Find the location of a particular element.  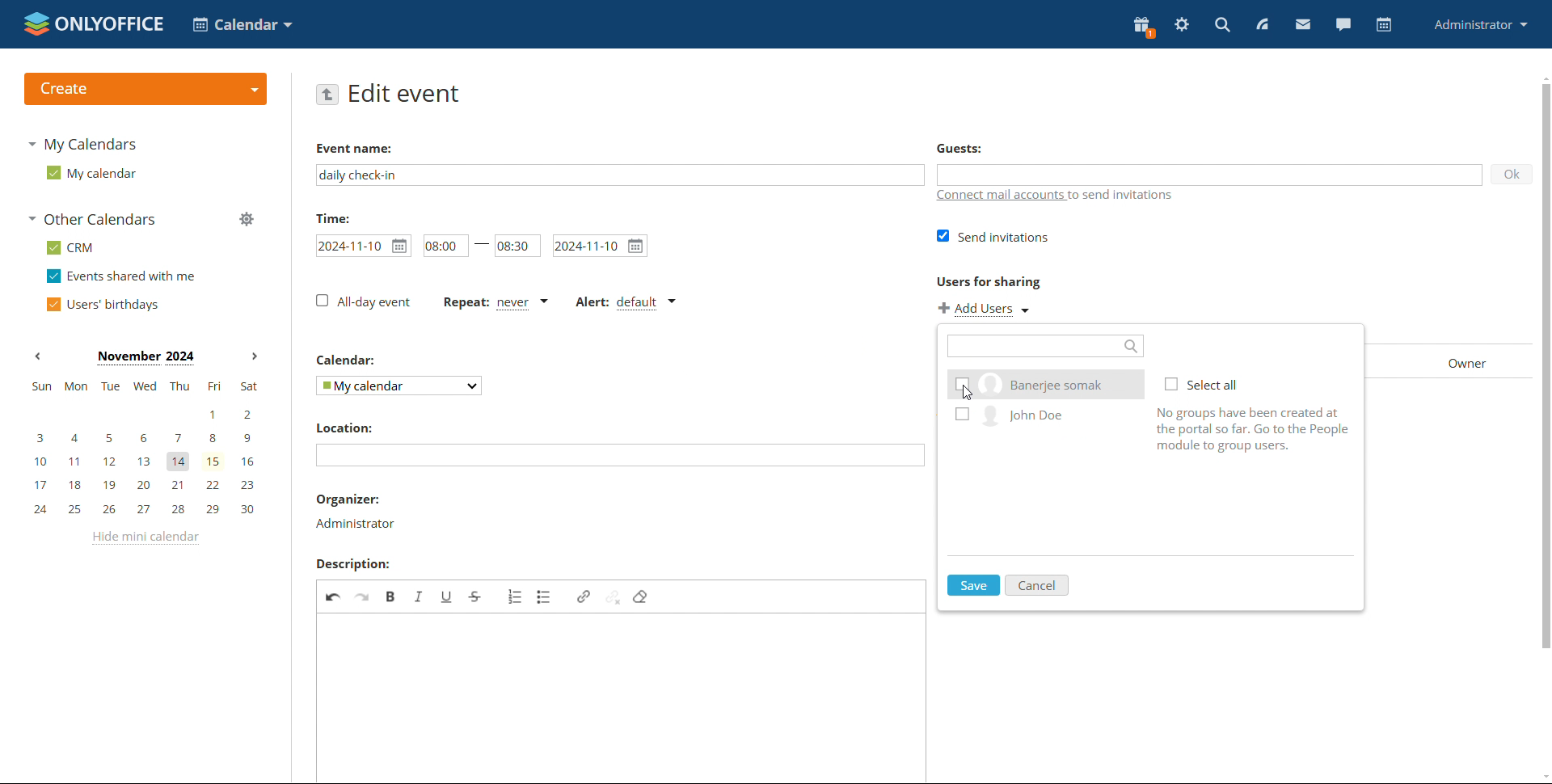

insert/remove bulleted list is located at coordinates (545, 596).